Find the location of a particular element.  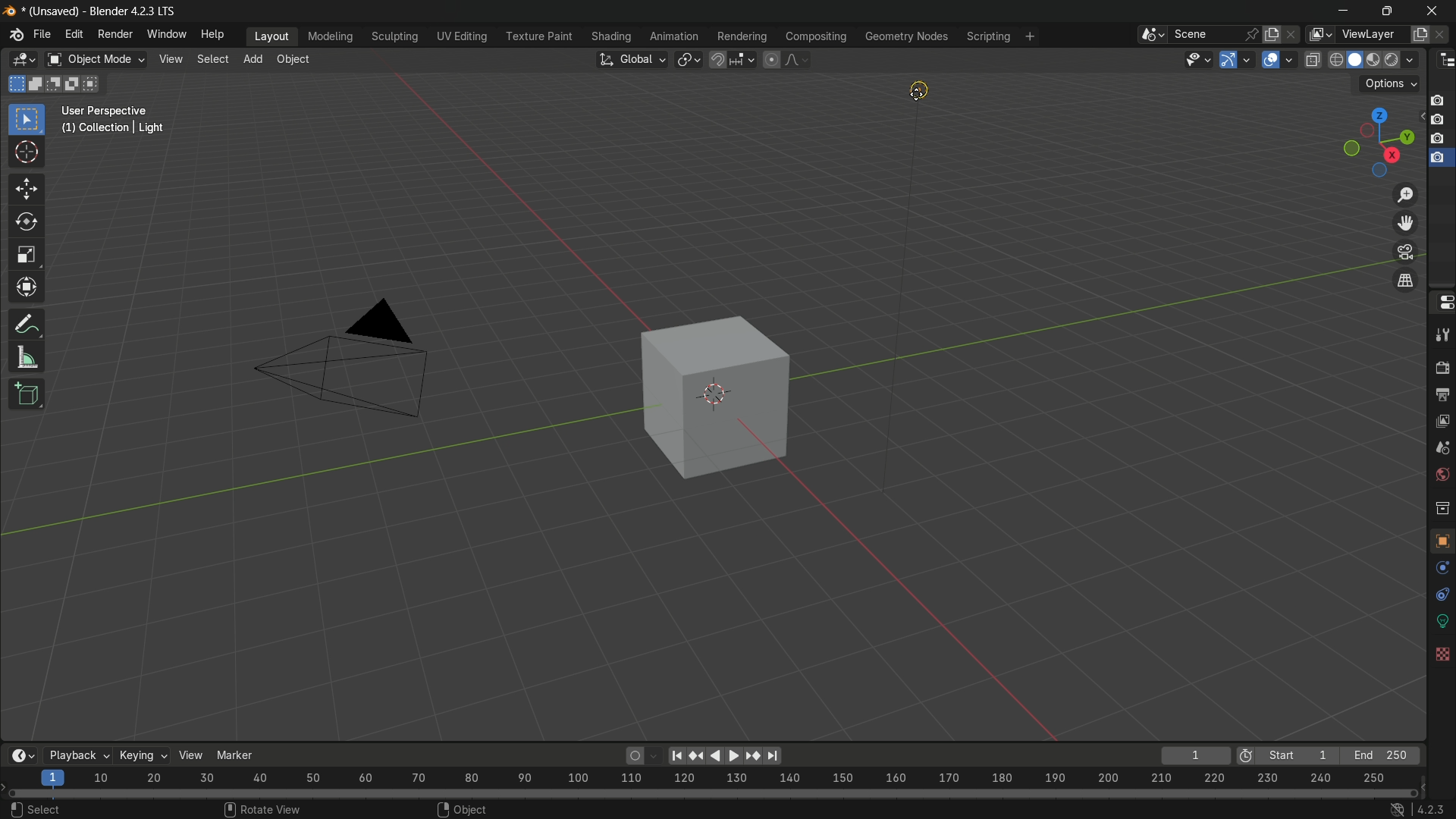

transformation orientation is located at coordinates (633, 59).